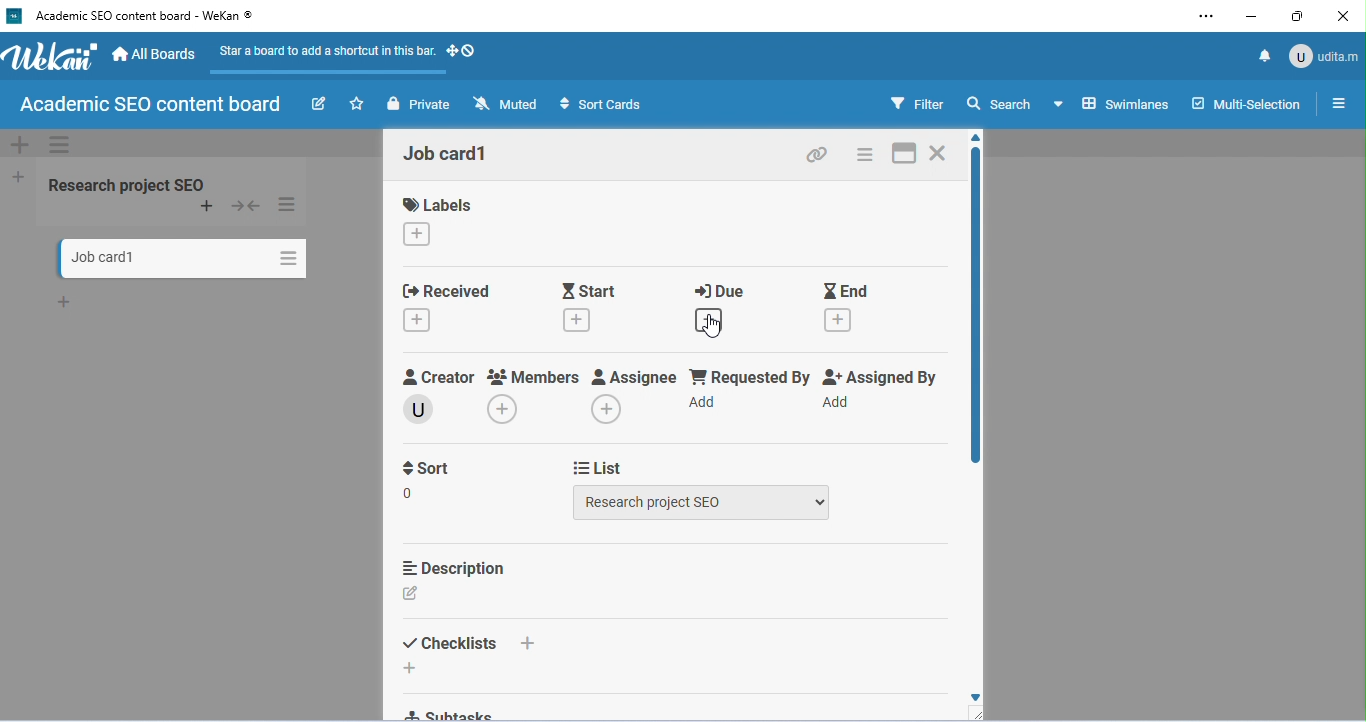 The width and height of the screenshot is (1366, 722). I want to click on creator name, so click(420, 409).